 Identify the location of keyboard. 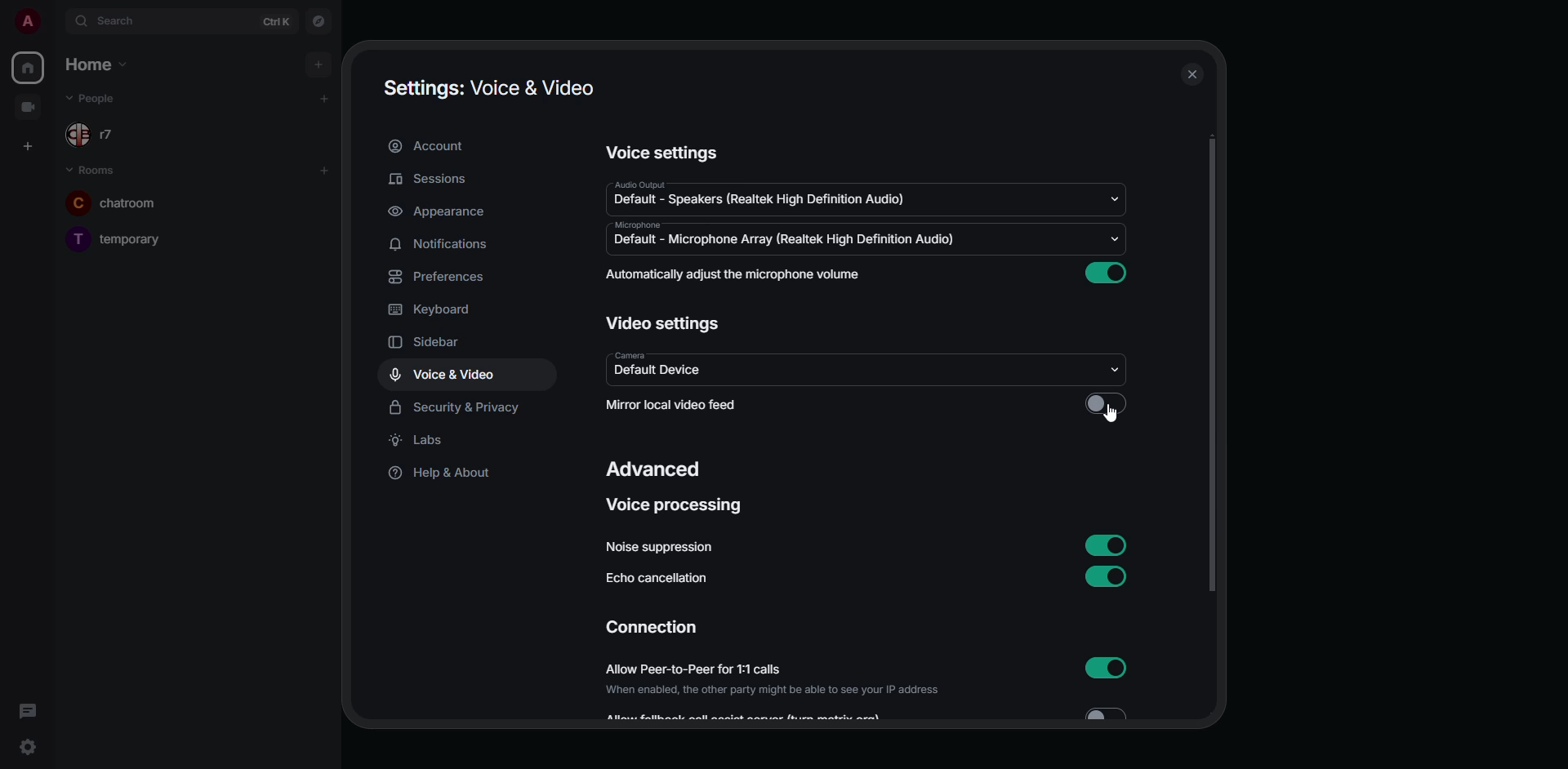
(436, 309).